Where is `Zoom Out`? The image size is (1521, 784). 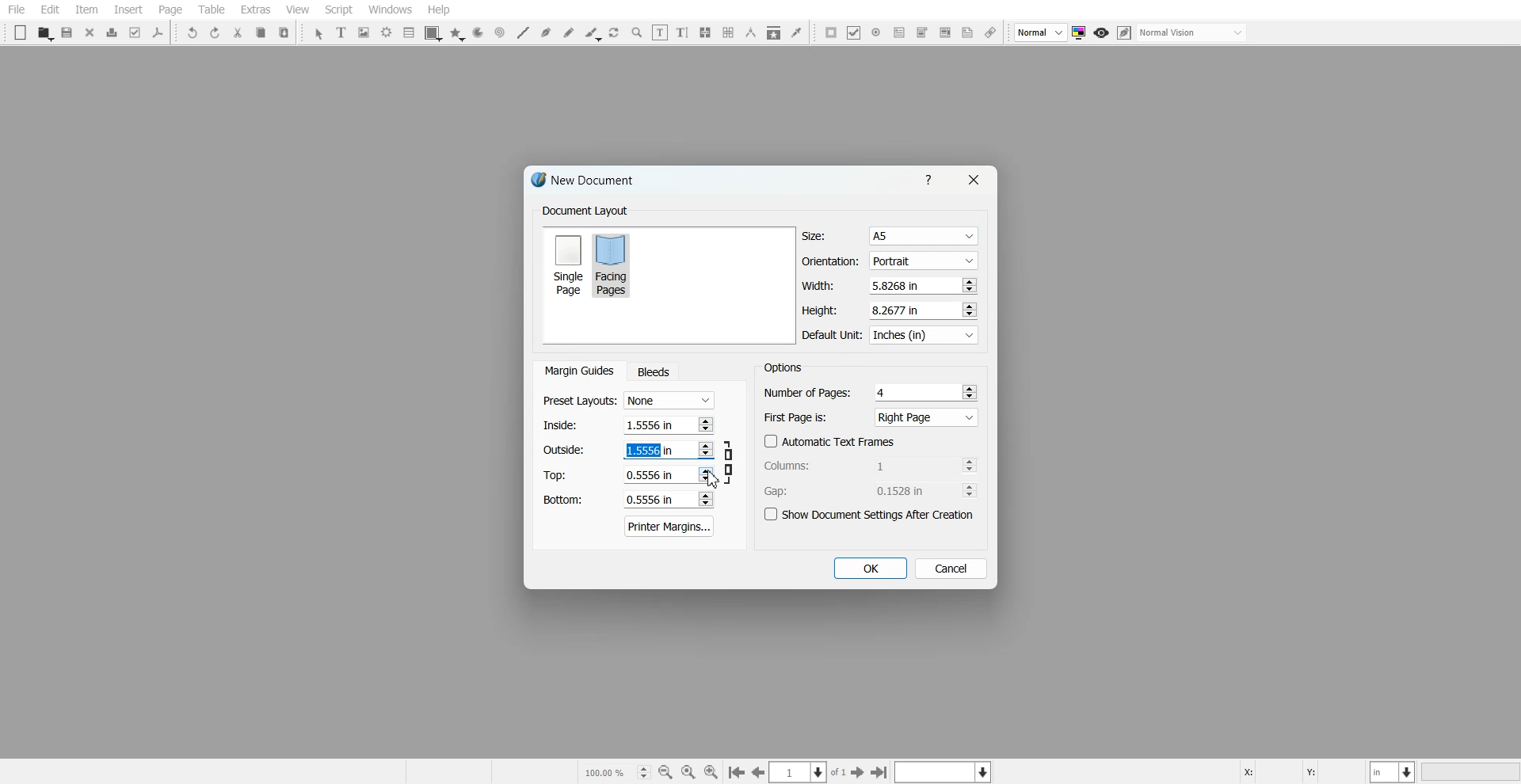
Zoom Out is located at coordinates (665, 772).